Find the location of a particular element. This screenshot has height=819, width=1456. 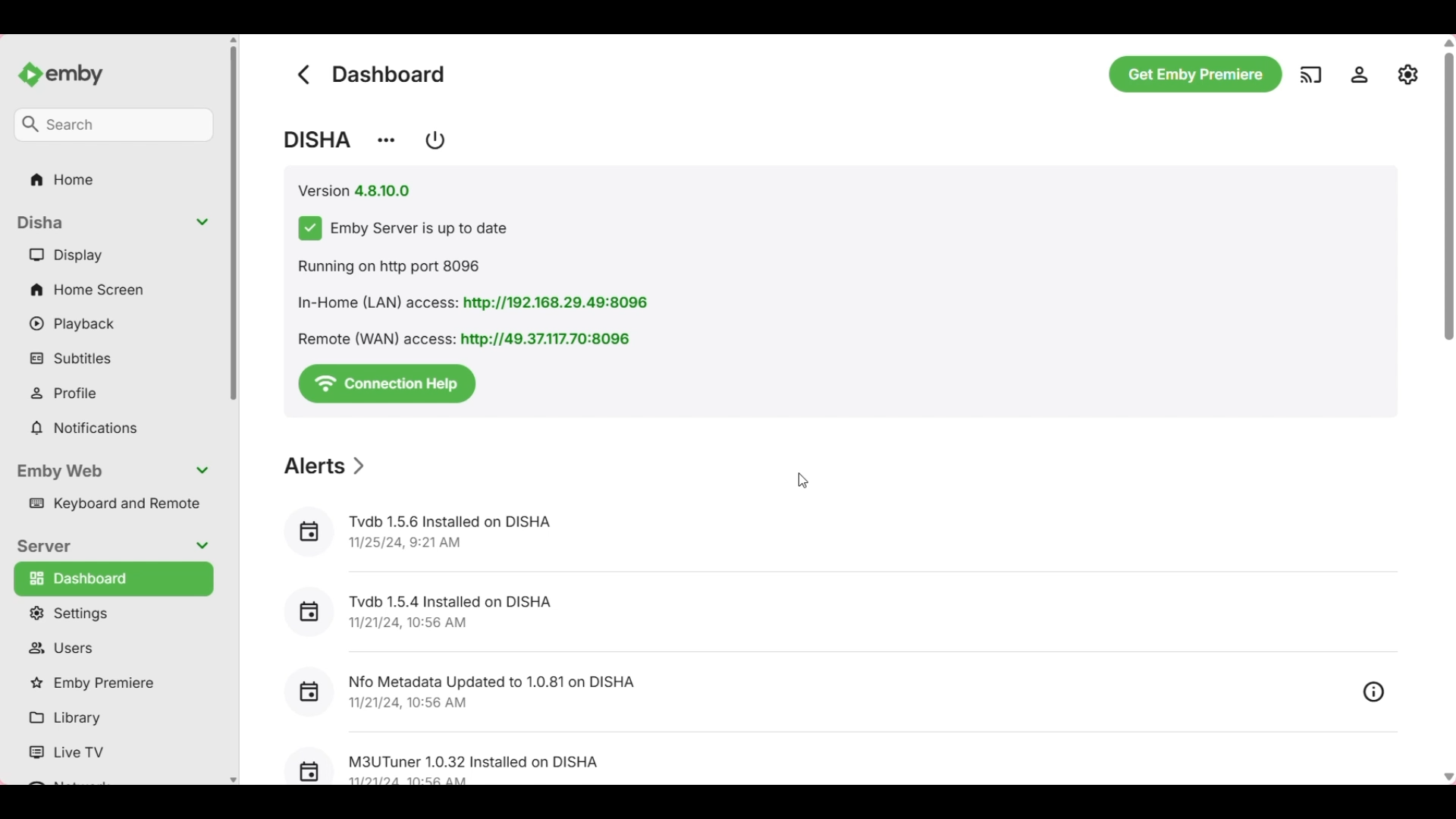

Library is located at coordinates (110, 718).